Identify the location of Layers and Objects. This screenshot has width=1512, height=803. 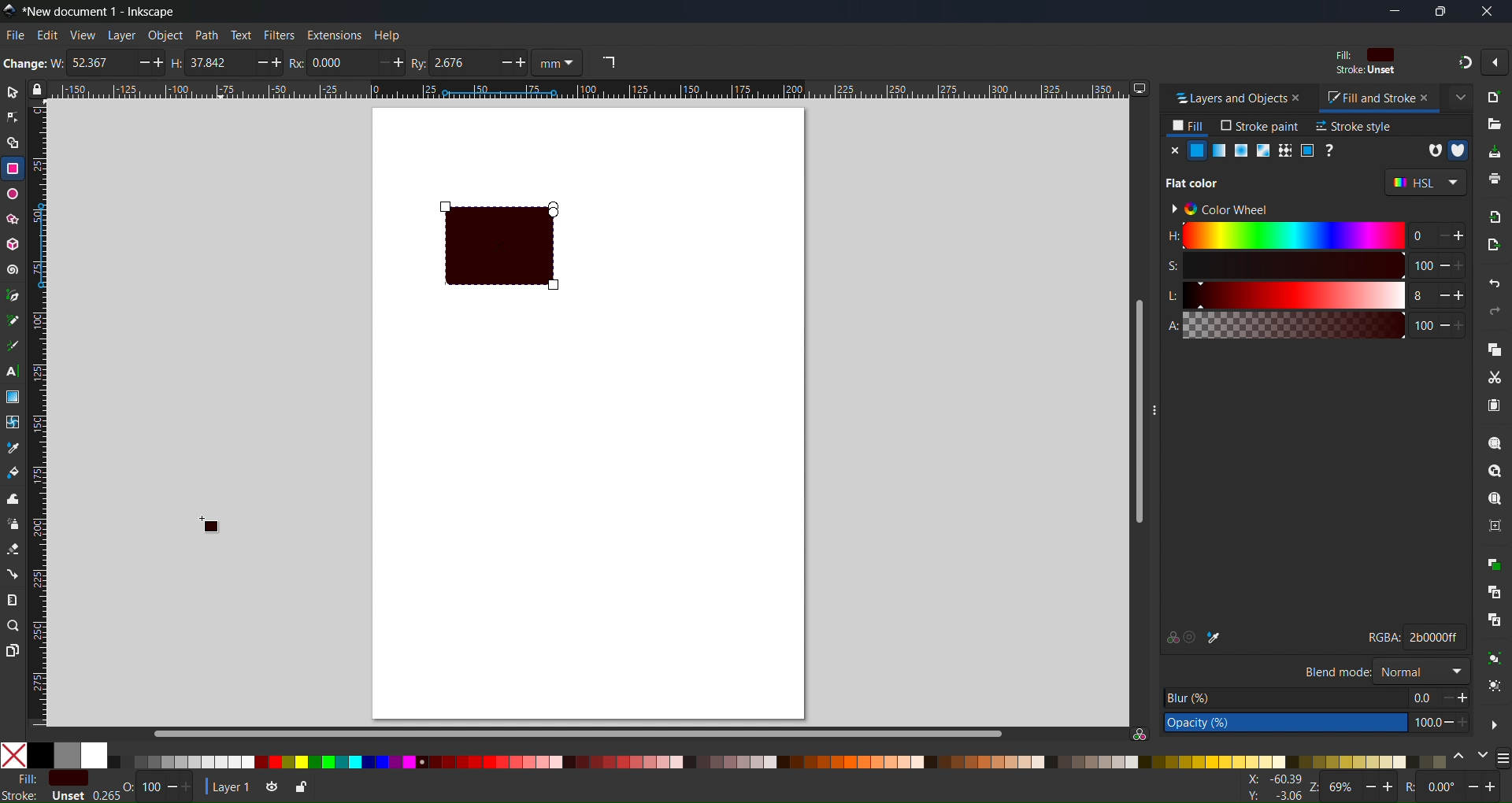
(1225, 98).